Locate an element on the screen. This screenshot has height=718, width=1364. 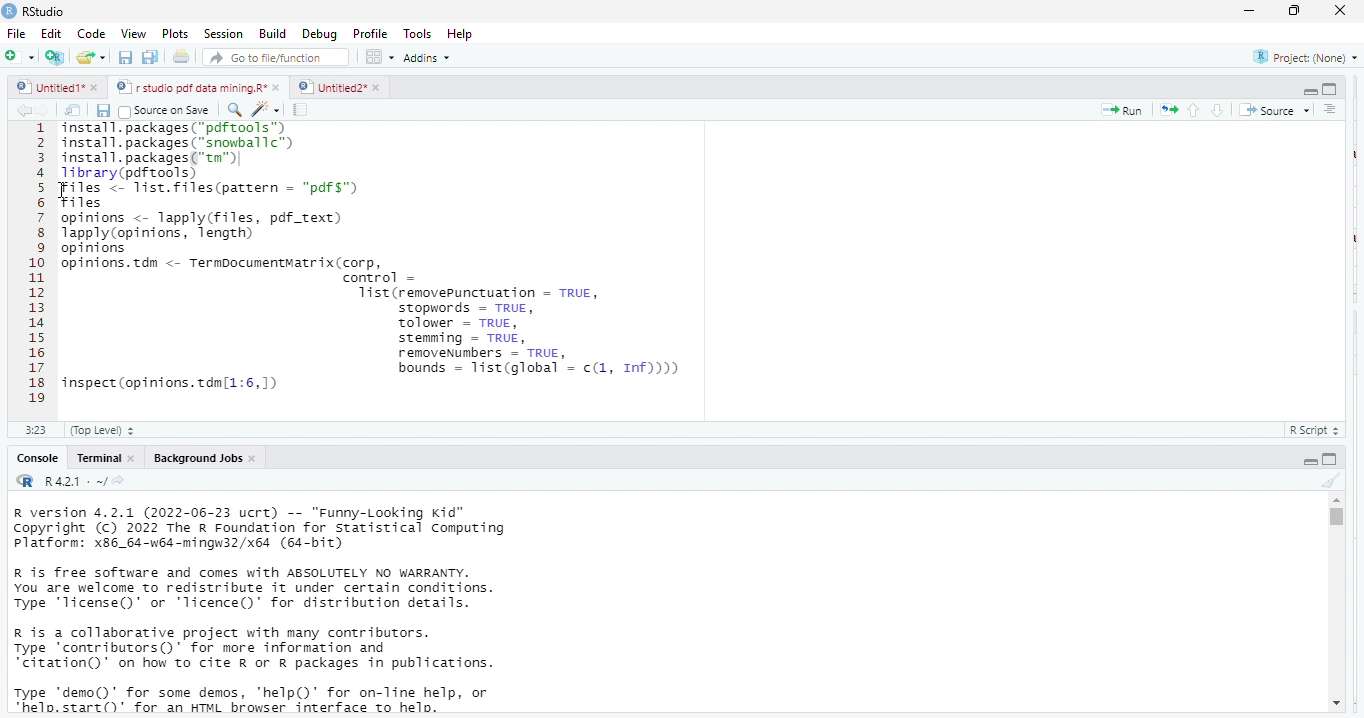
maximize is located at coordinates (1297, 12).